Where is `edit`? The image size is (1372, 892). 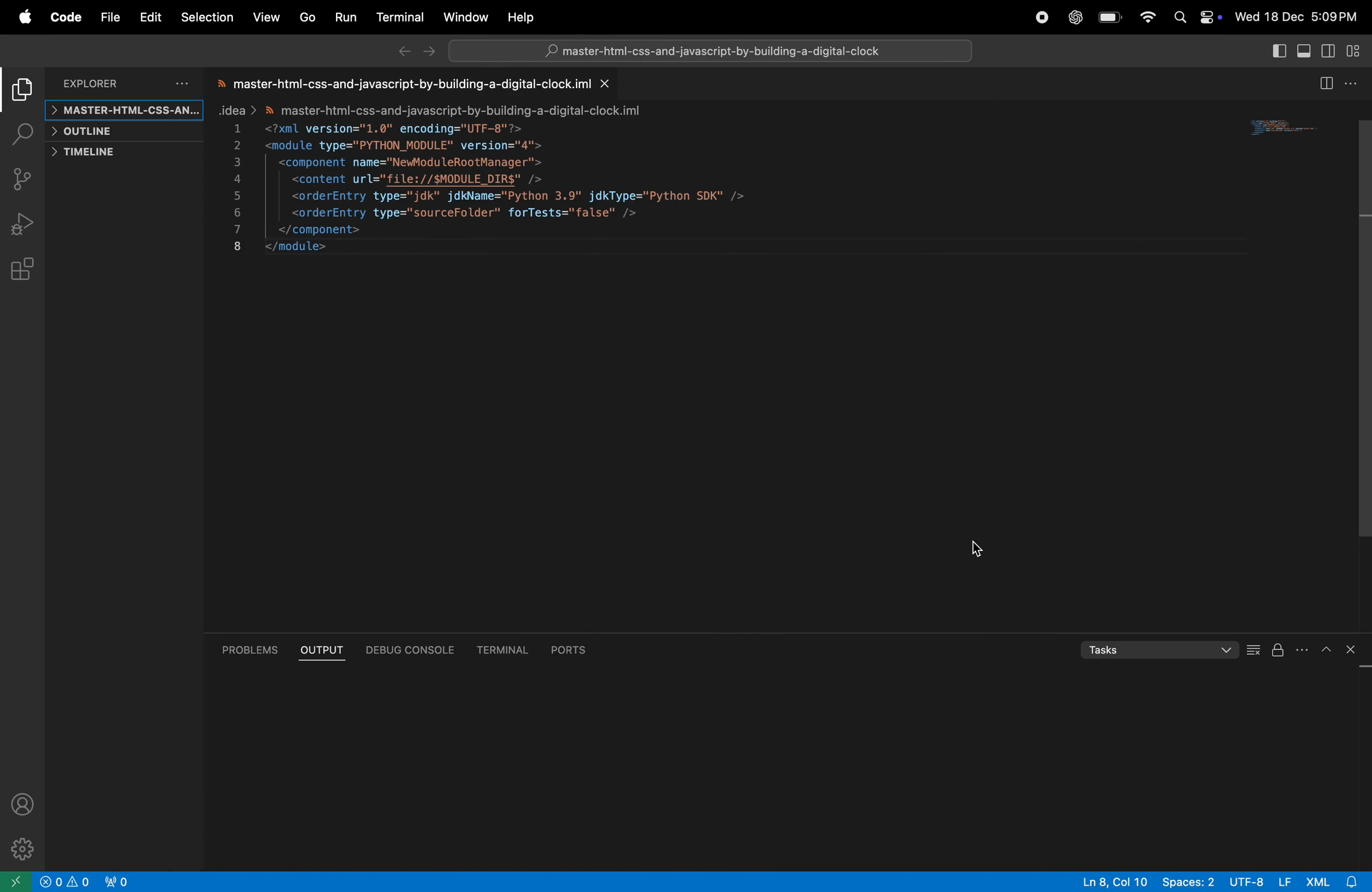 edit is located at coordinates (149, 17).